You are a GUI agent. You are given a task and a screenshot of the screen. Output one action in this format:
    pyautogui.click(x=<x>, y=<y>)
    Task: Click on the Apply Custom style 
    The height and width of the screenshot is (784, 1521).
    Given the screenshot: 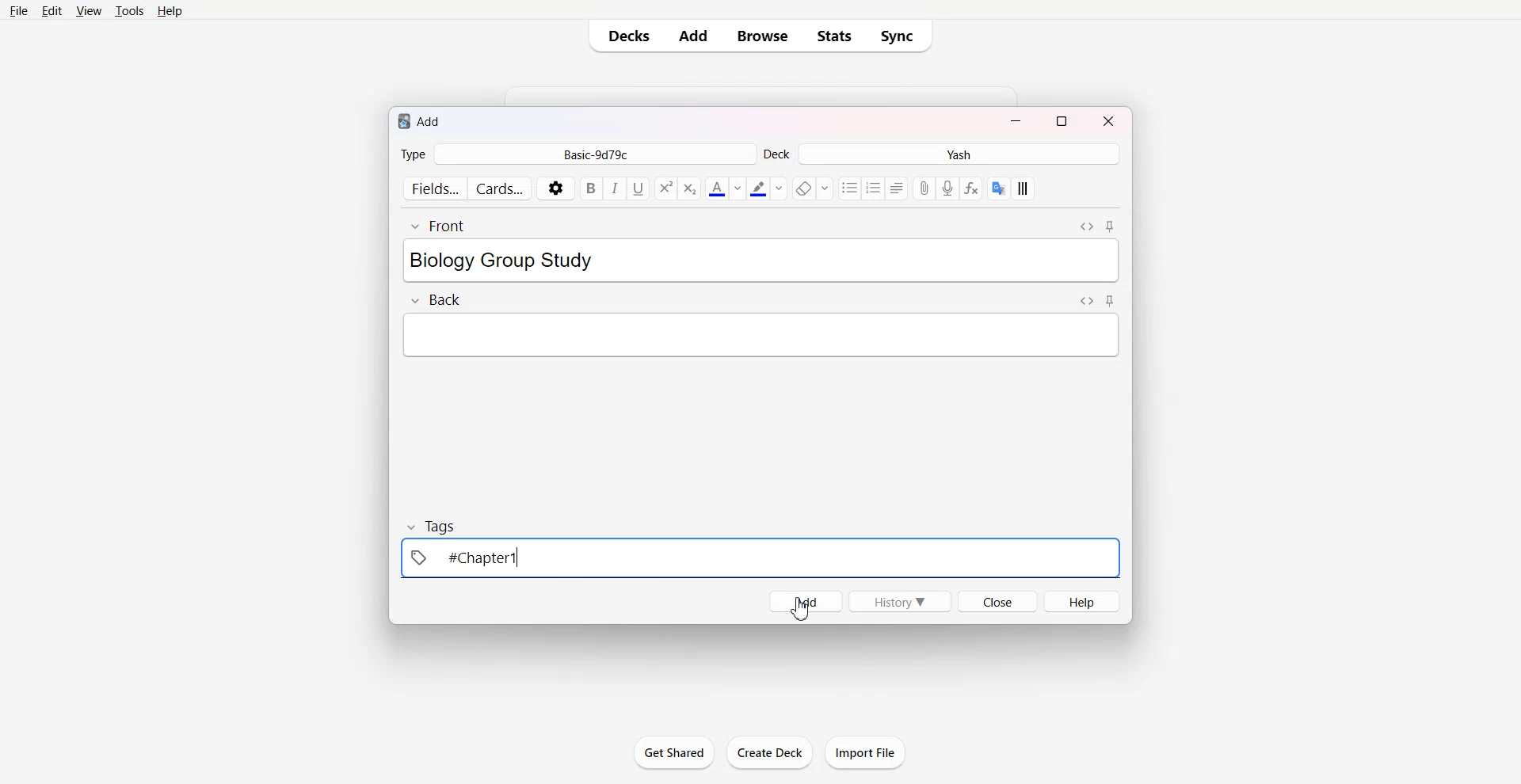 What is the action you would take?
    pyautogui.click(x=1022, y=188)
    